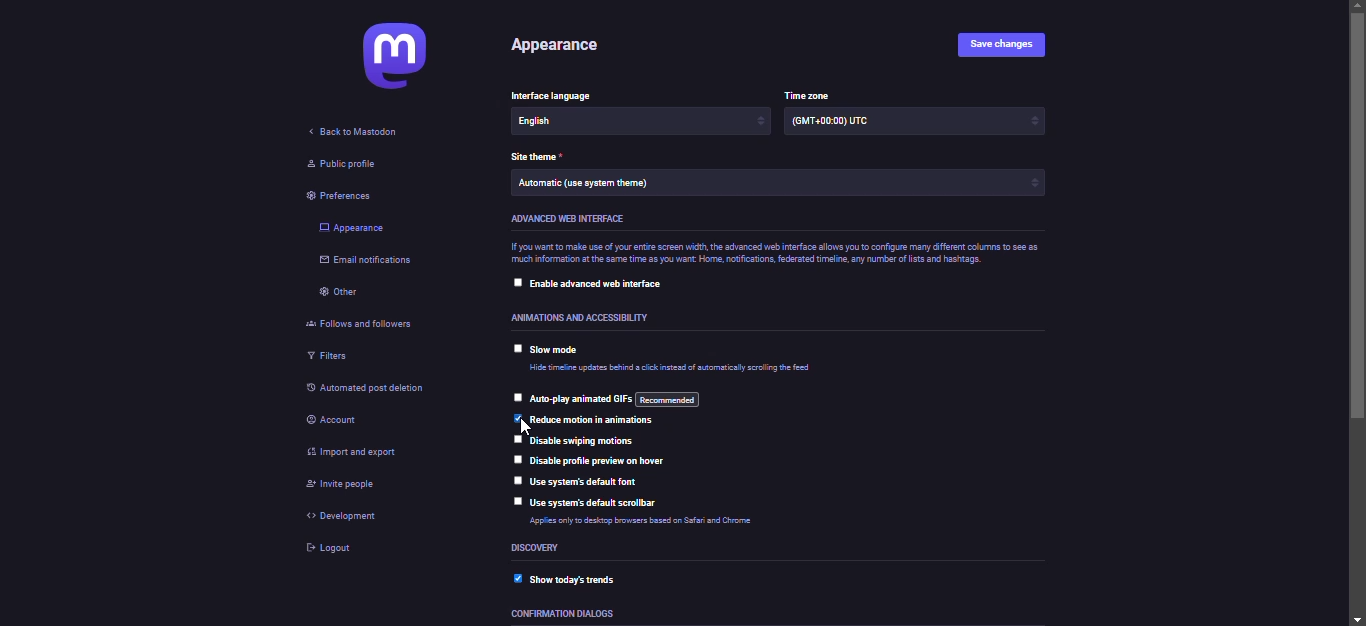 The width and height of the screenshot is (1366, 626). Describe the element at coordinates (847, 123) in the screenshot. I see `time zone` at that location.